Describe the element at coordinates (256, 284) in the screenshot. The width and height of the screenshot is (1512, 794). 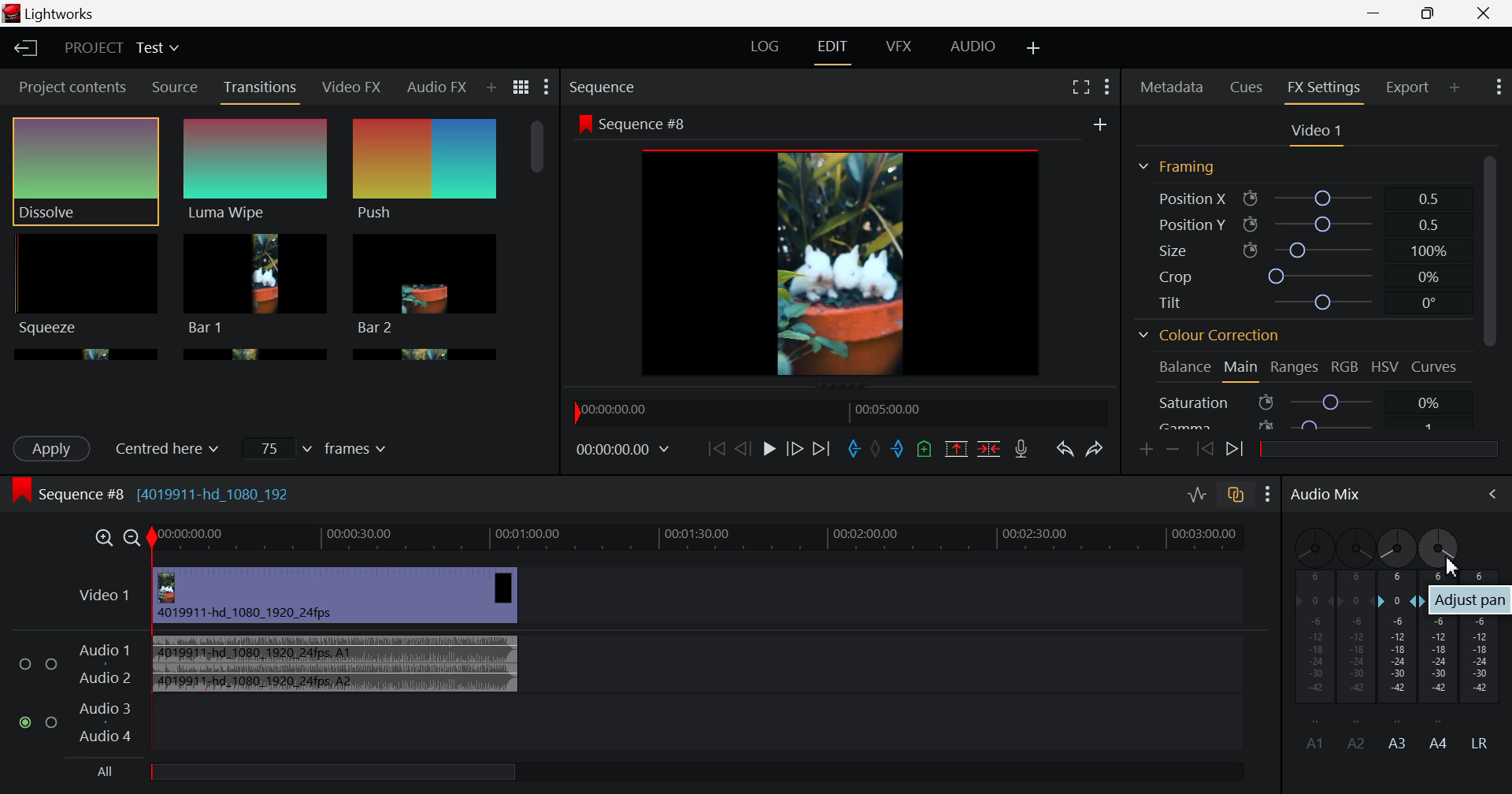
I see `Bar 1` at that location.